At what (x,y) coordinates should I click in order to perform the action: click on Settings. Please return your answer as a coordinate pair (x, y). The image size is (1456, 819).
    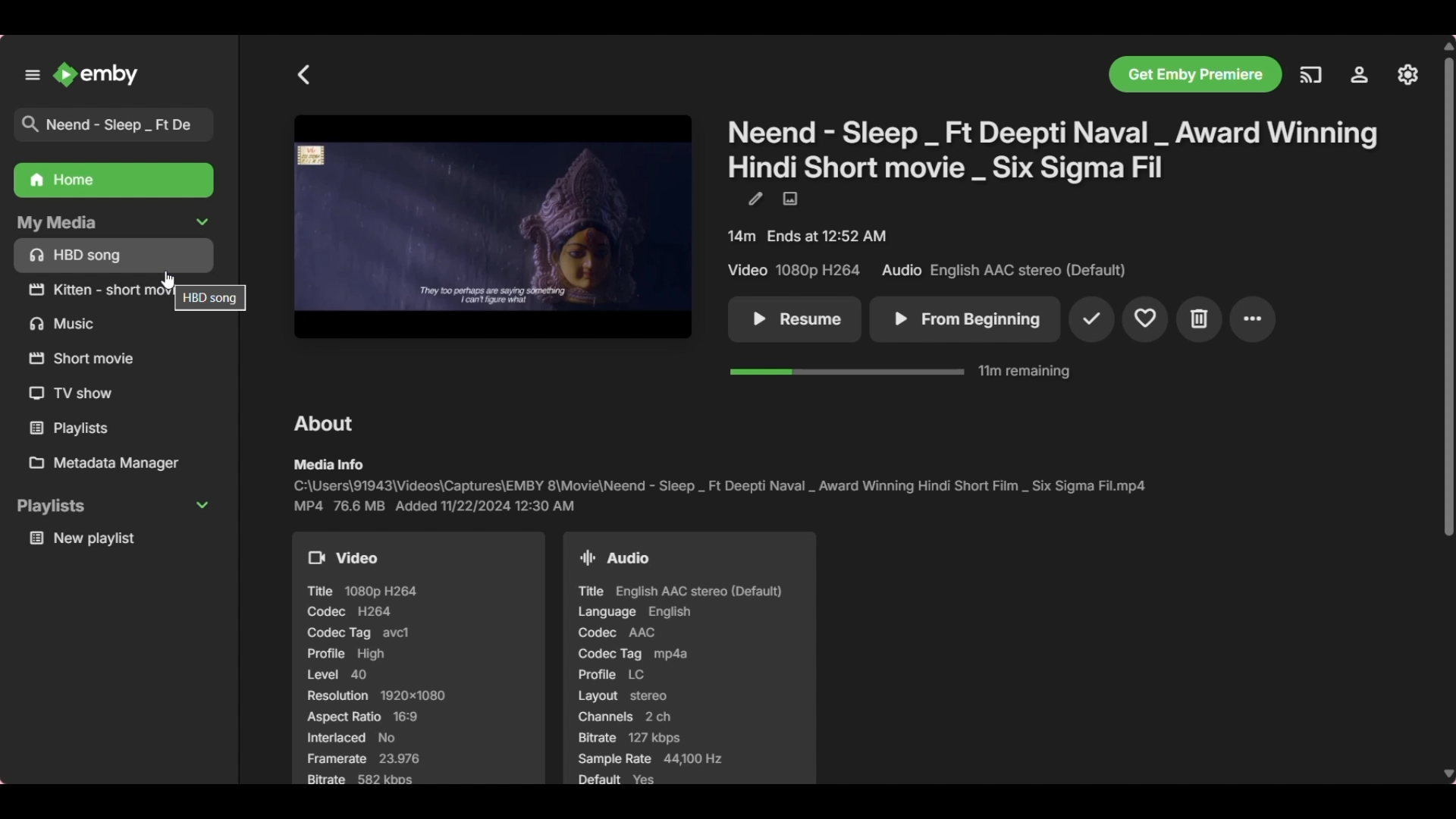
    Looking at the image, I should click on (1359, 75).